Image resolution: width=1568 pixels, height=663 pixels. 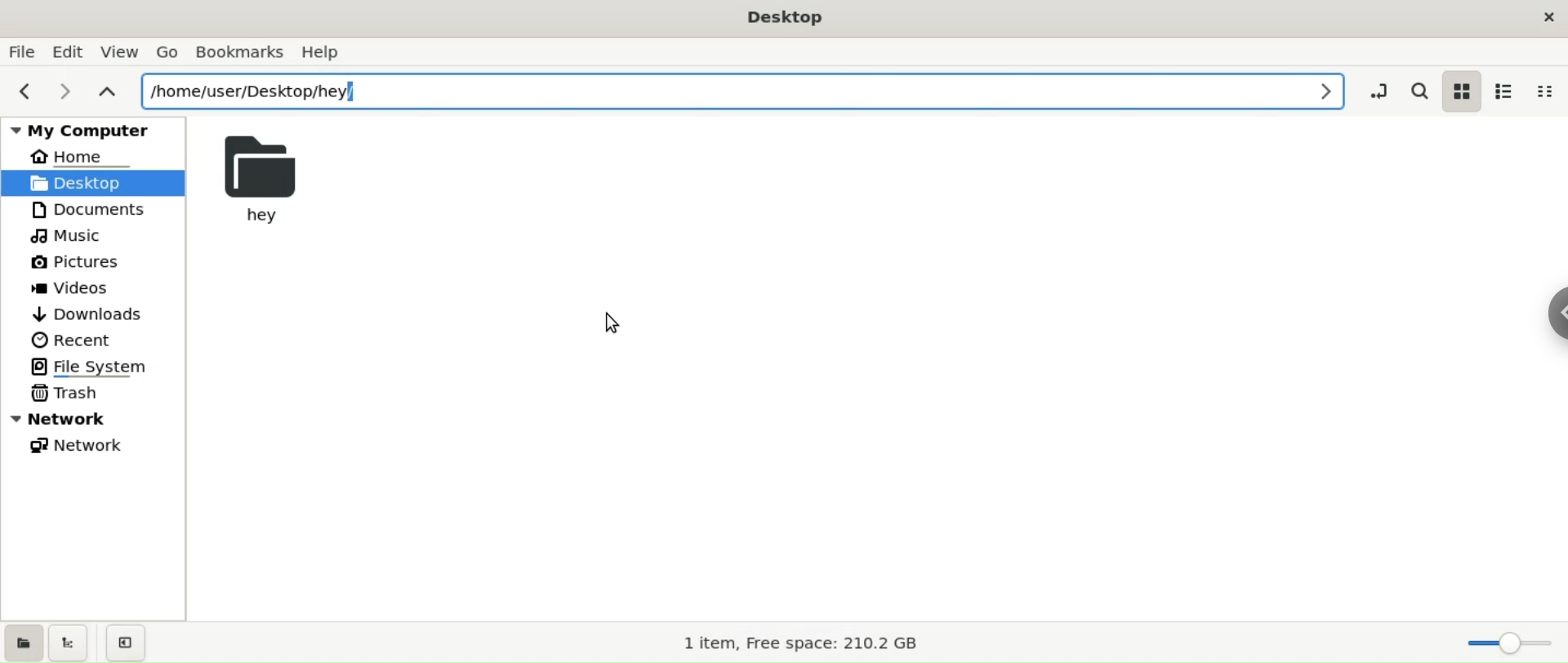 What do you see at coordinates (167, 52) in the screenshot?
I see `go` at bounding box center [167, 52].